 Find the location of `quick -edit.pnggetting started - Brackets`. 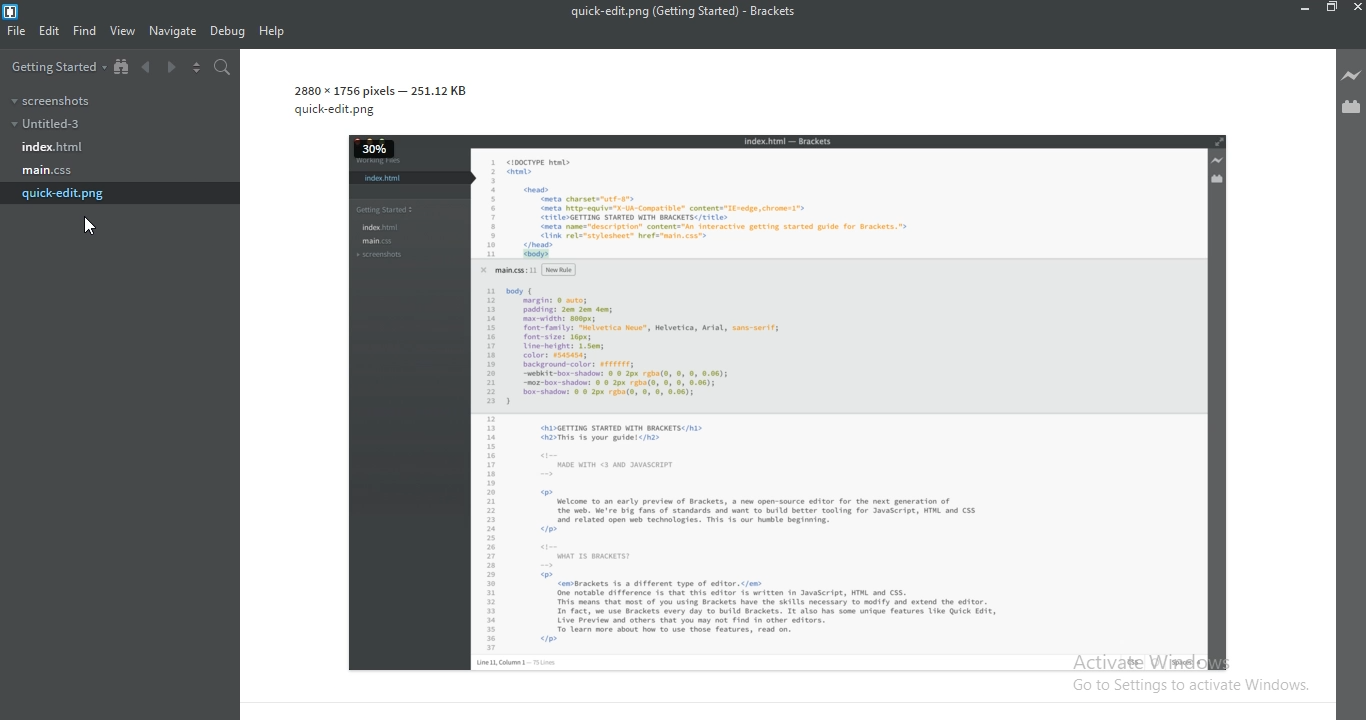

quick -edit.pnggetting started - Brackets is located at coordinates (689, 11).